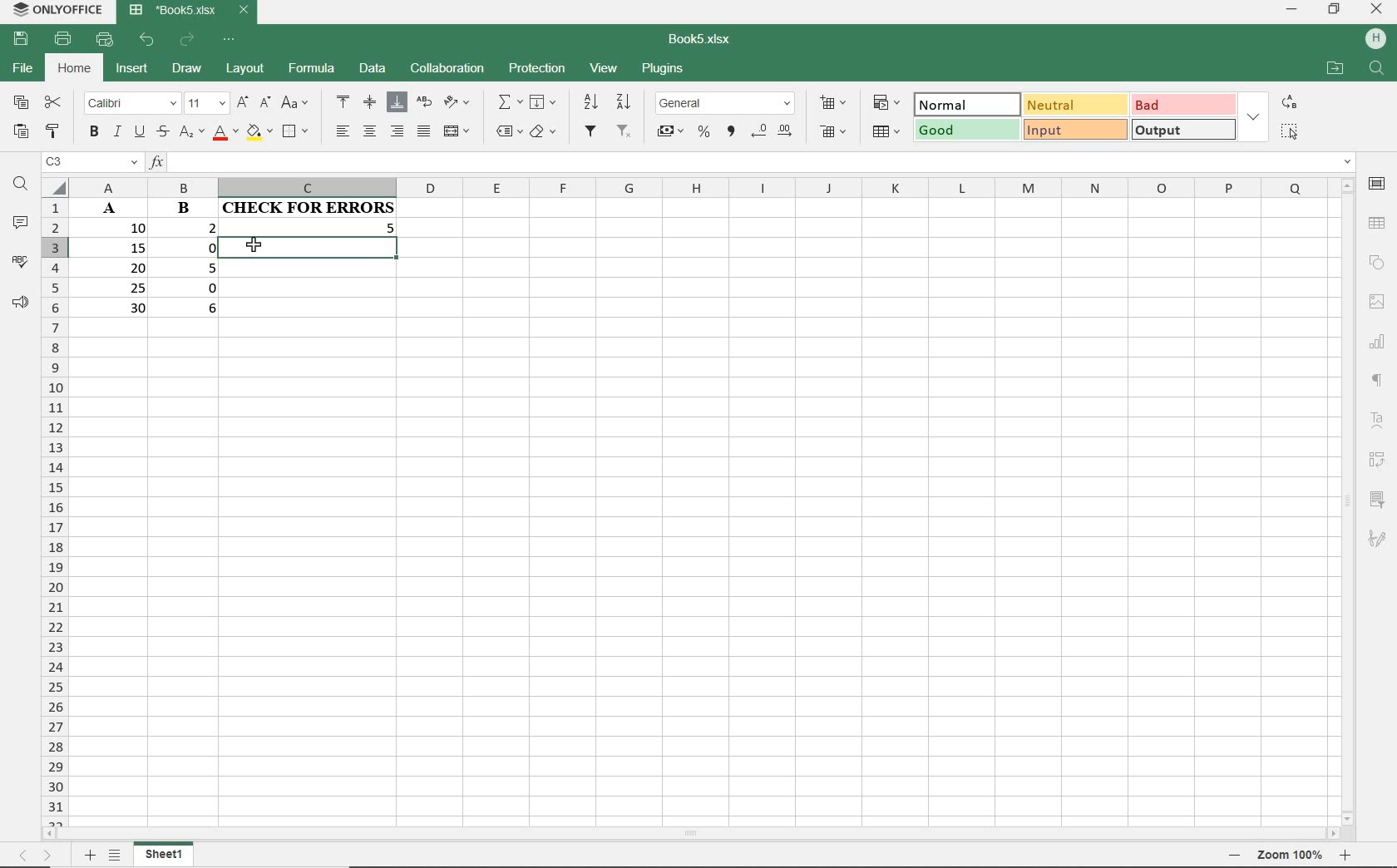  I want to click on FORMULA, so click(311, 71).